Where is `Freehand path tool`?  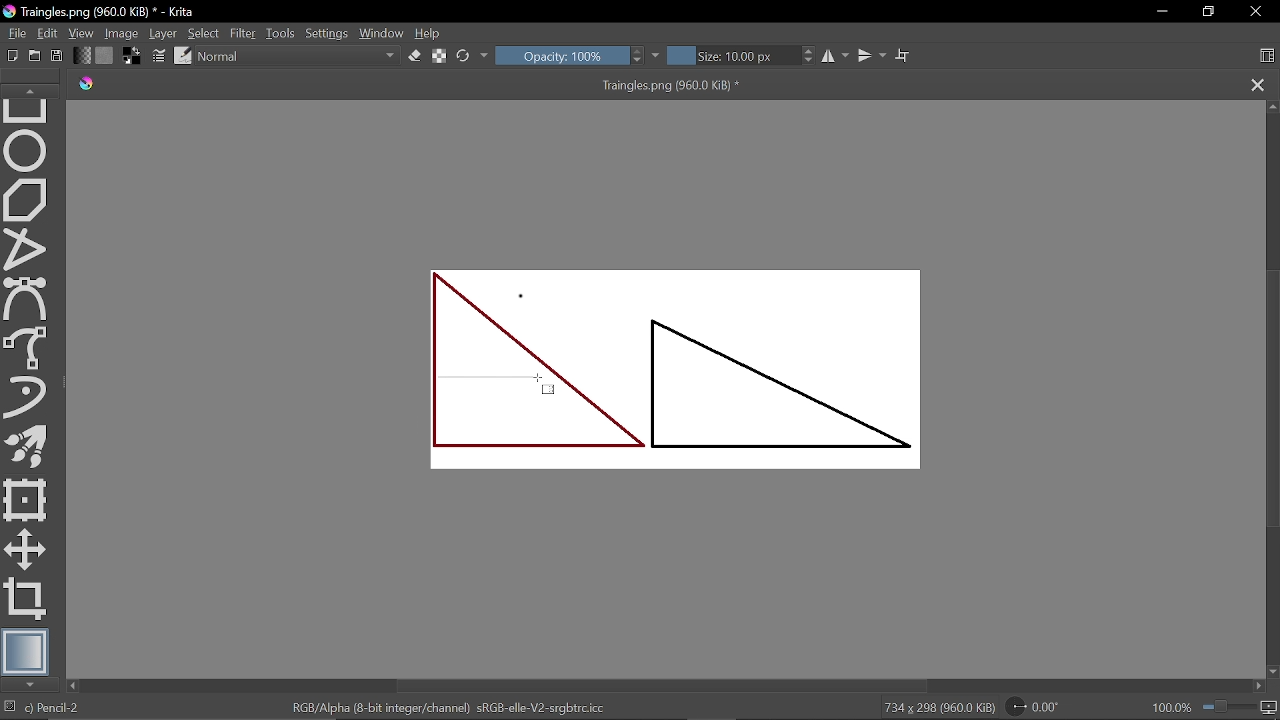
Freehand path tool is located at coordinates (29, 348).